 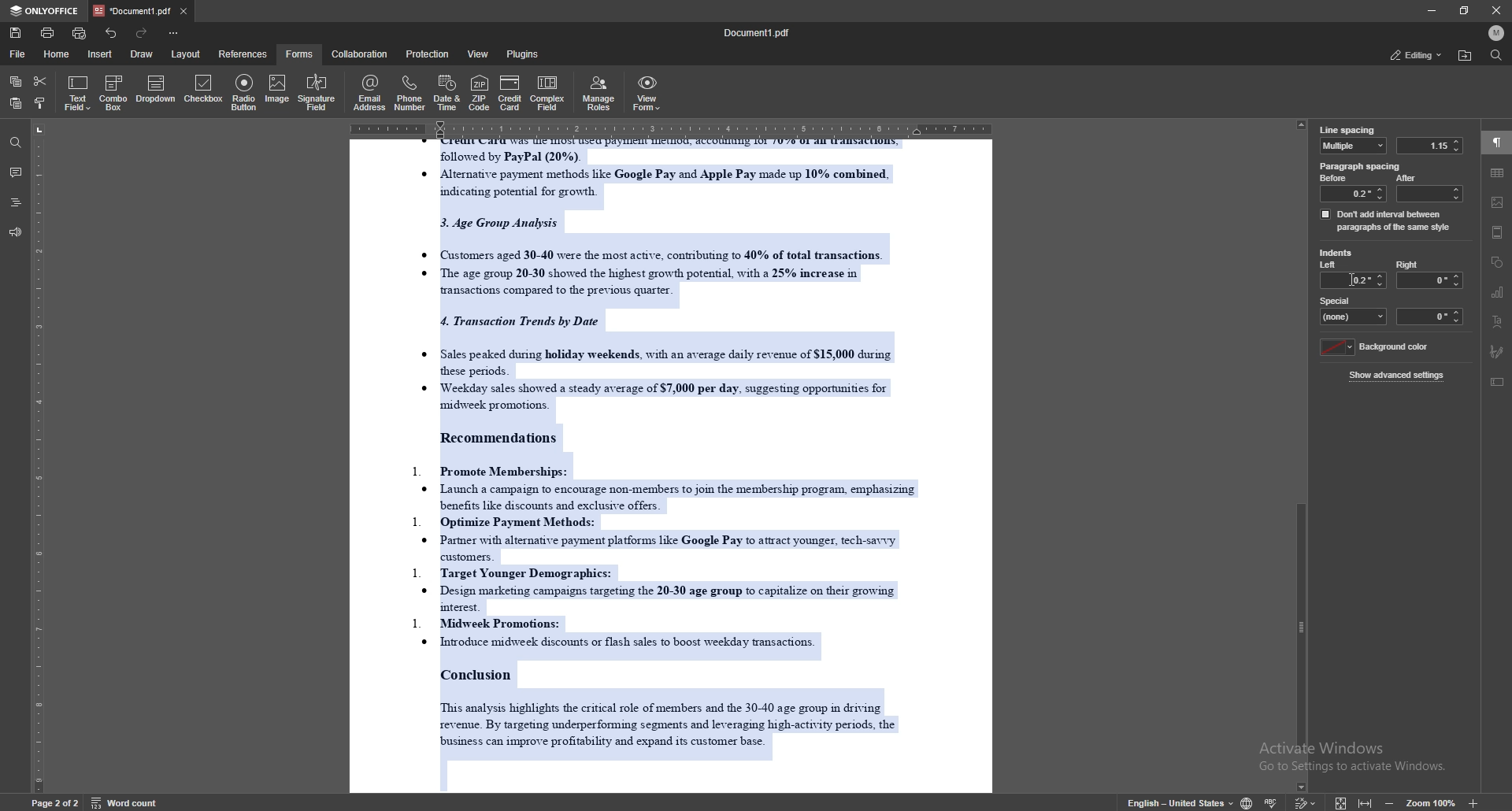 I want to click on show advanced settings, so click(x=1399, y=375).